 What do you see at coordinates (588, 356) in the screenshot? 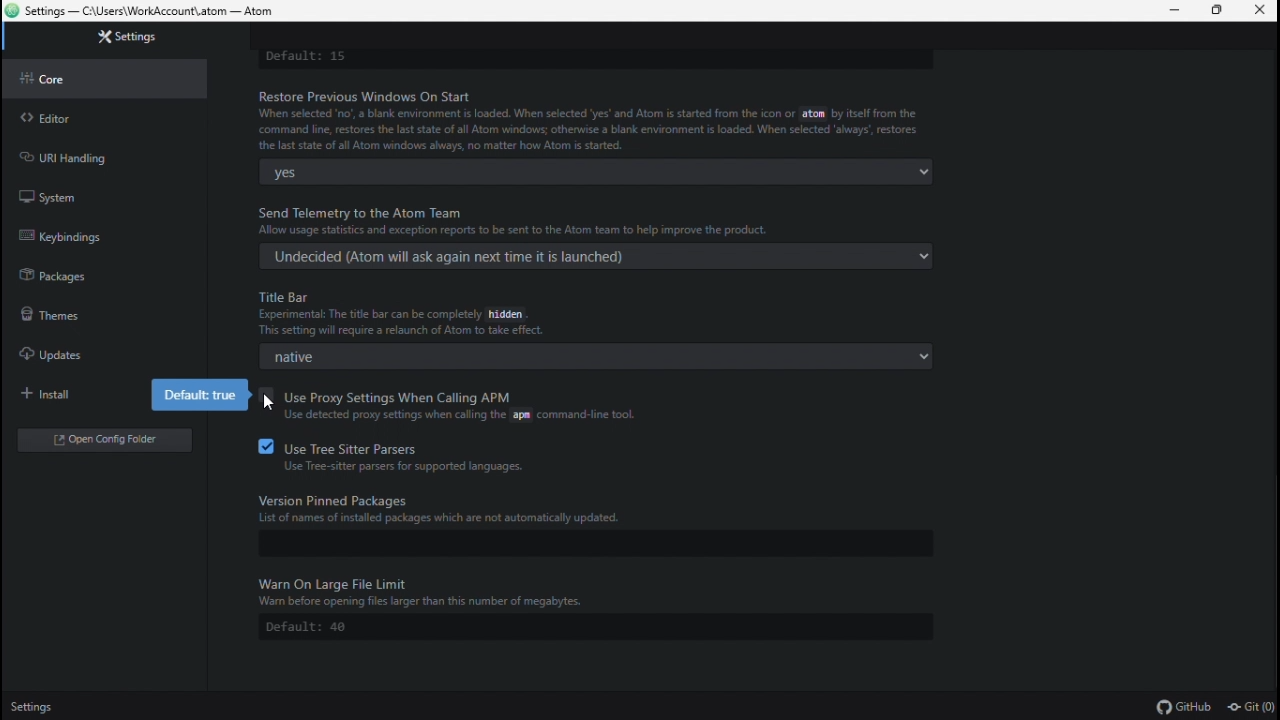
I see `native` at bounding box center [588, 356].